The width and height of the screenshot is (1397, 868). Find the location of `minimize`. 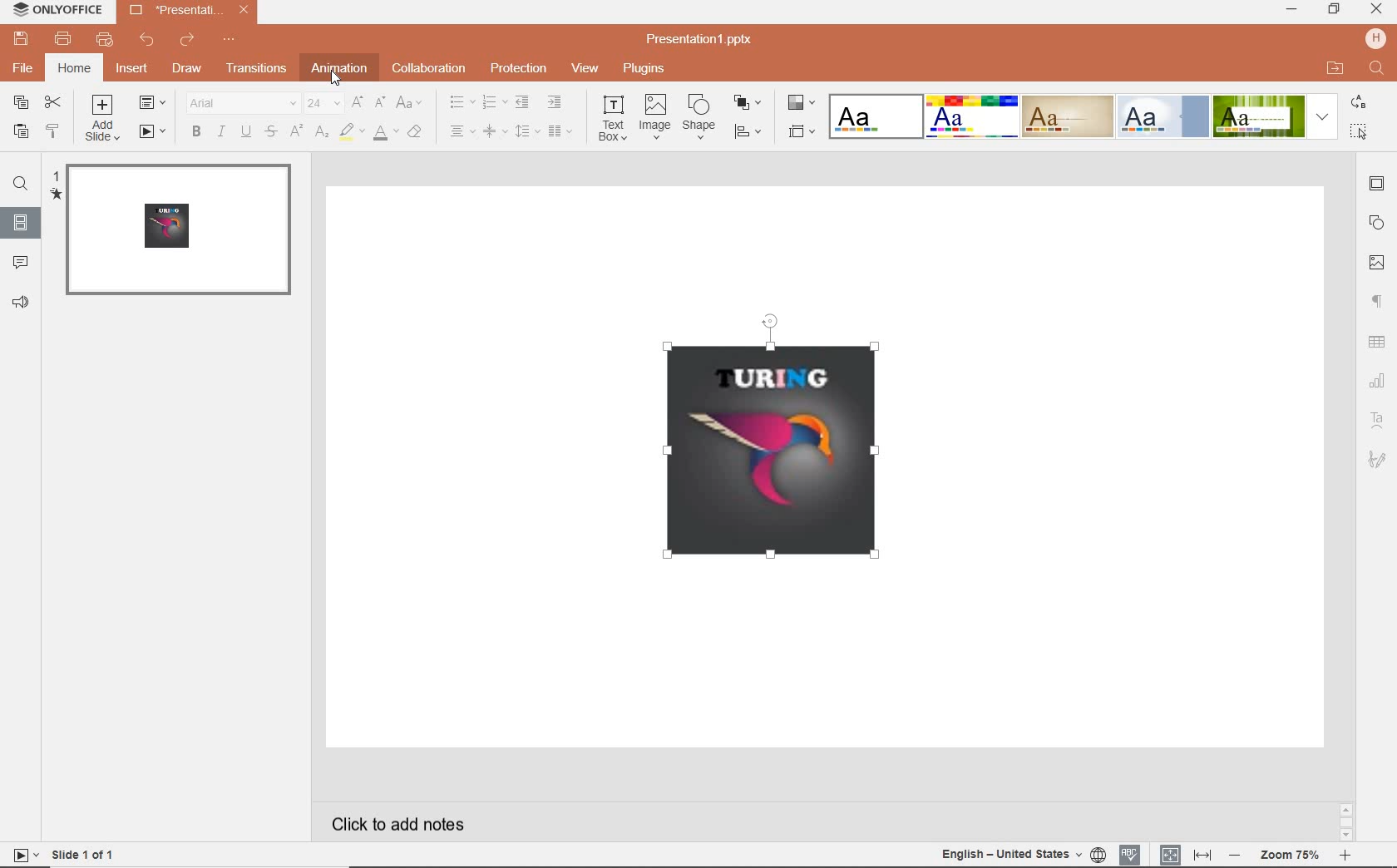

minimize is located at coordinates (1293, 10).